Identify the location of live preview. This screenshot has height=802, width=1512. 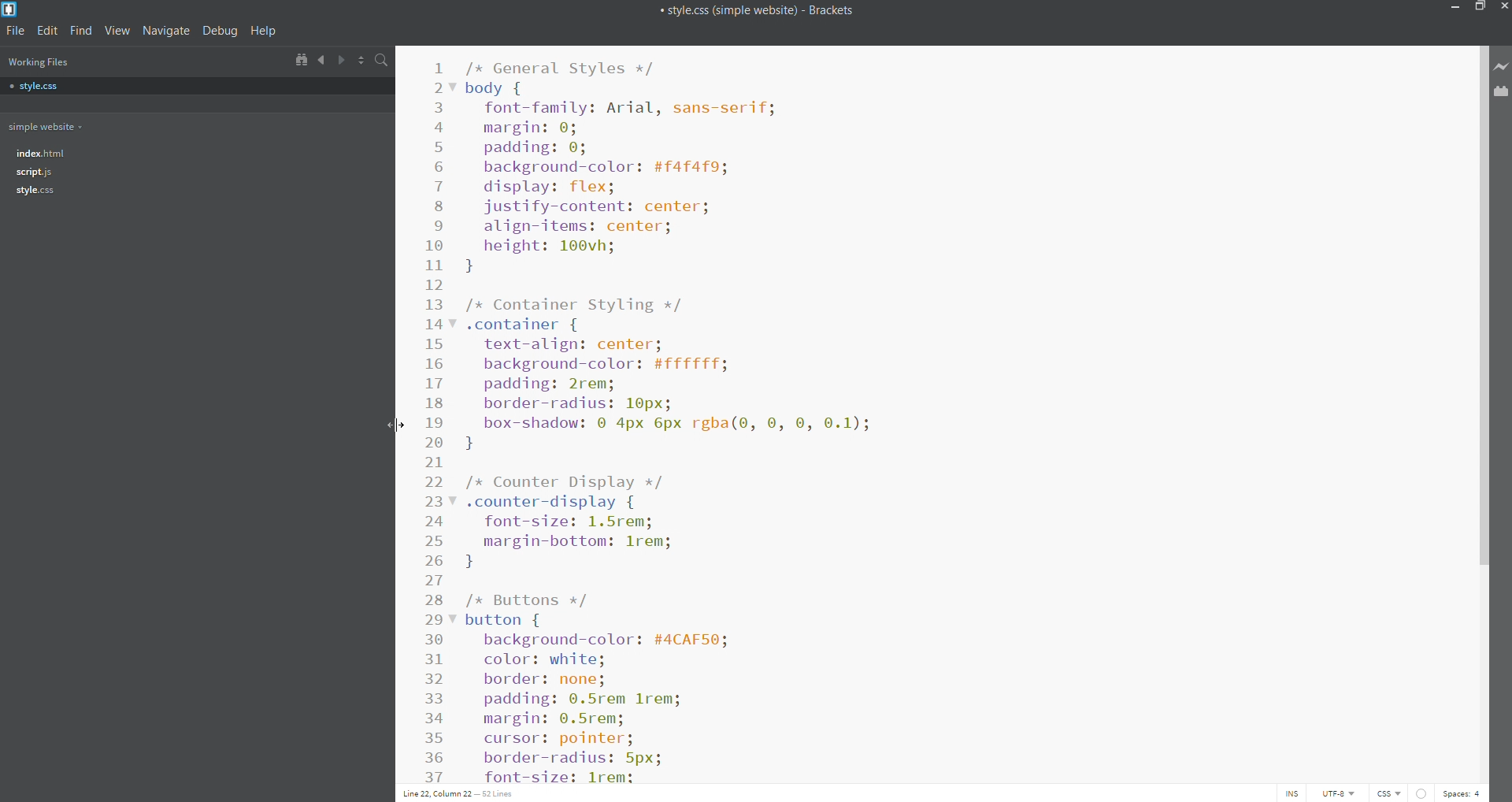
(1503, 66).